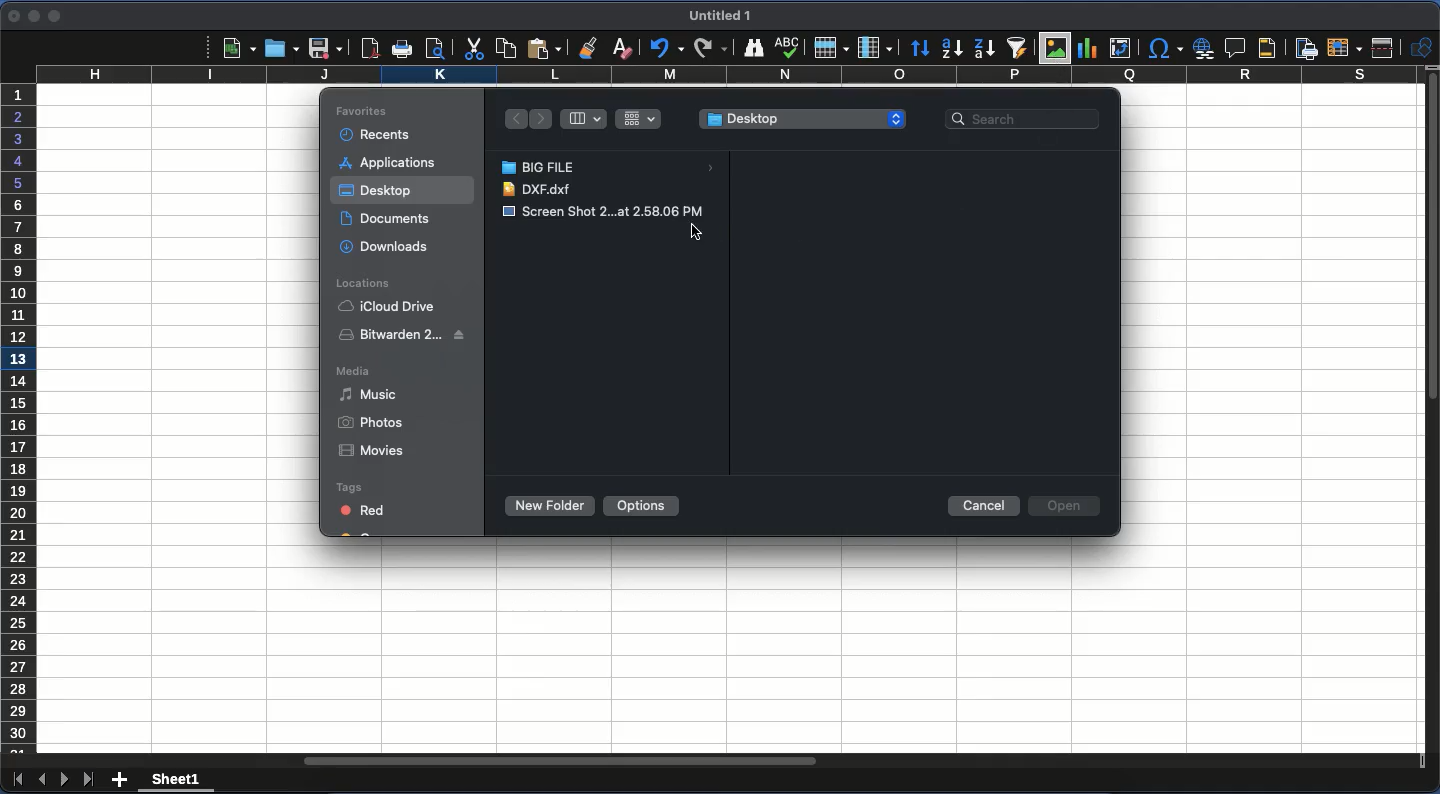 The width and height of the screenshot is (1440, 794). I want to click on hyperlink, so click(1205, 48).